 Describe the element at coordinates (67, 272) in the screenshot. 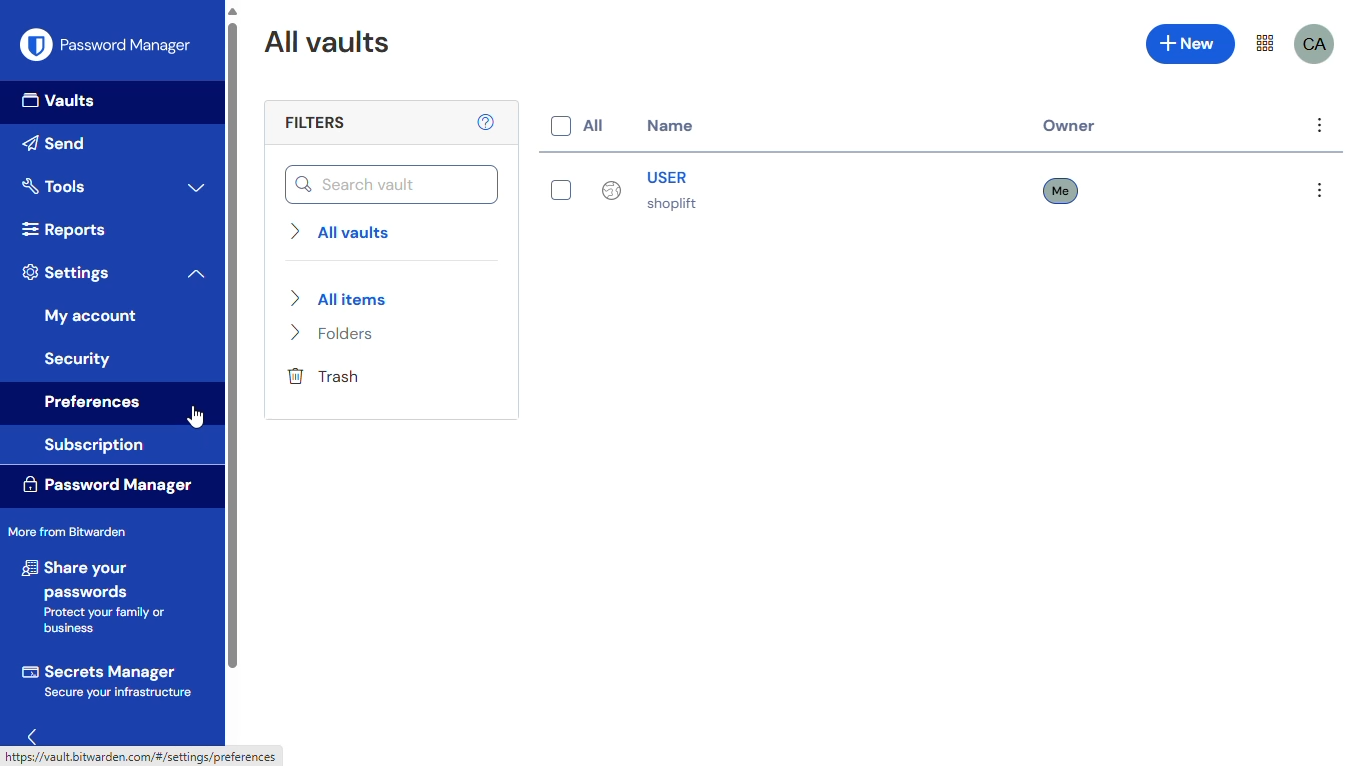

I see `settings` at that location.